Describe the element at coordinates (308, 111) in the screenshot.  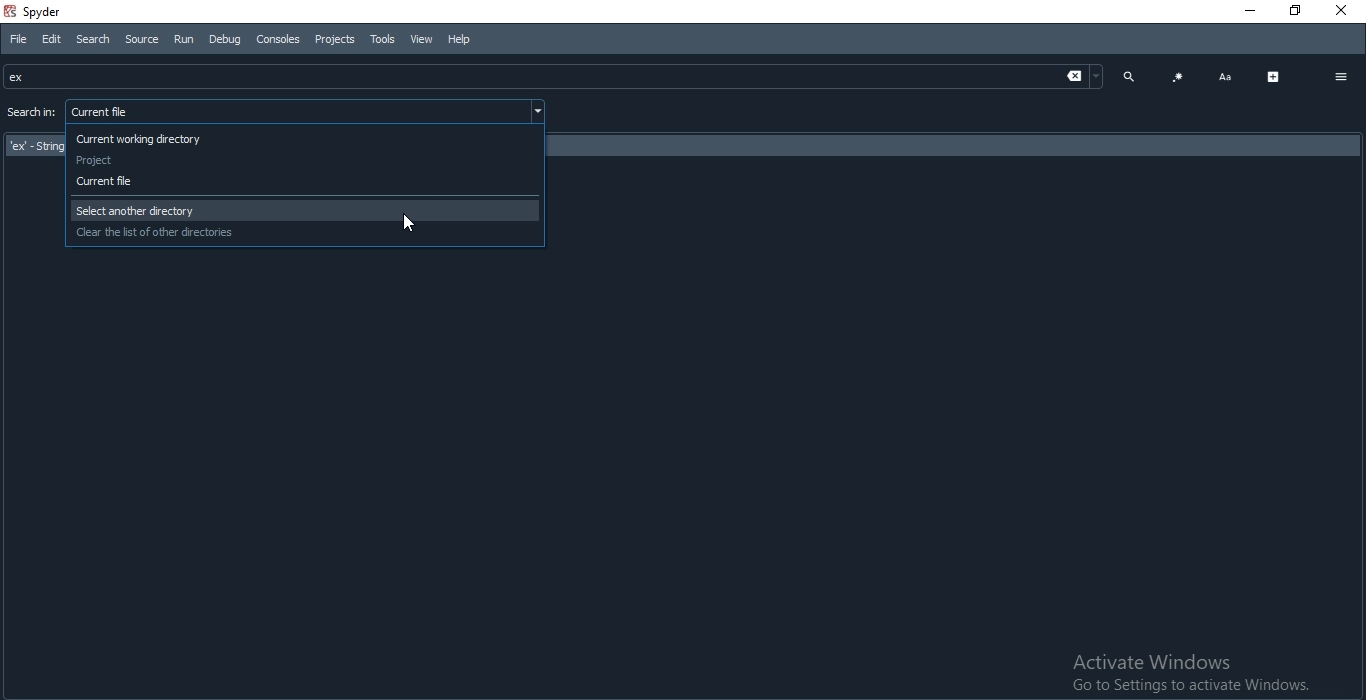
I see `current file` at that location.